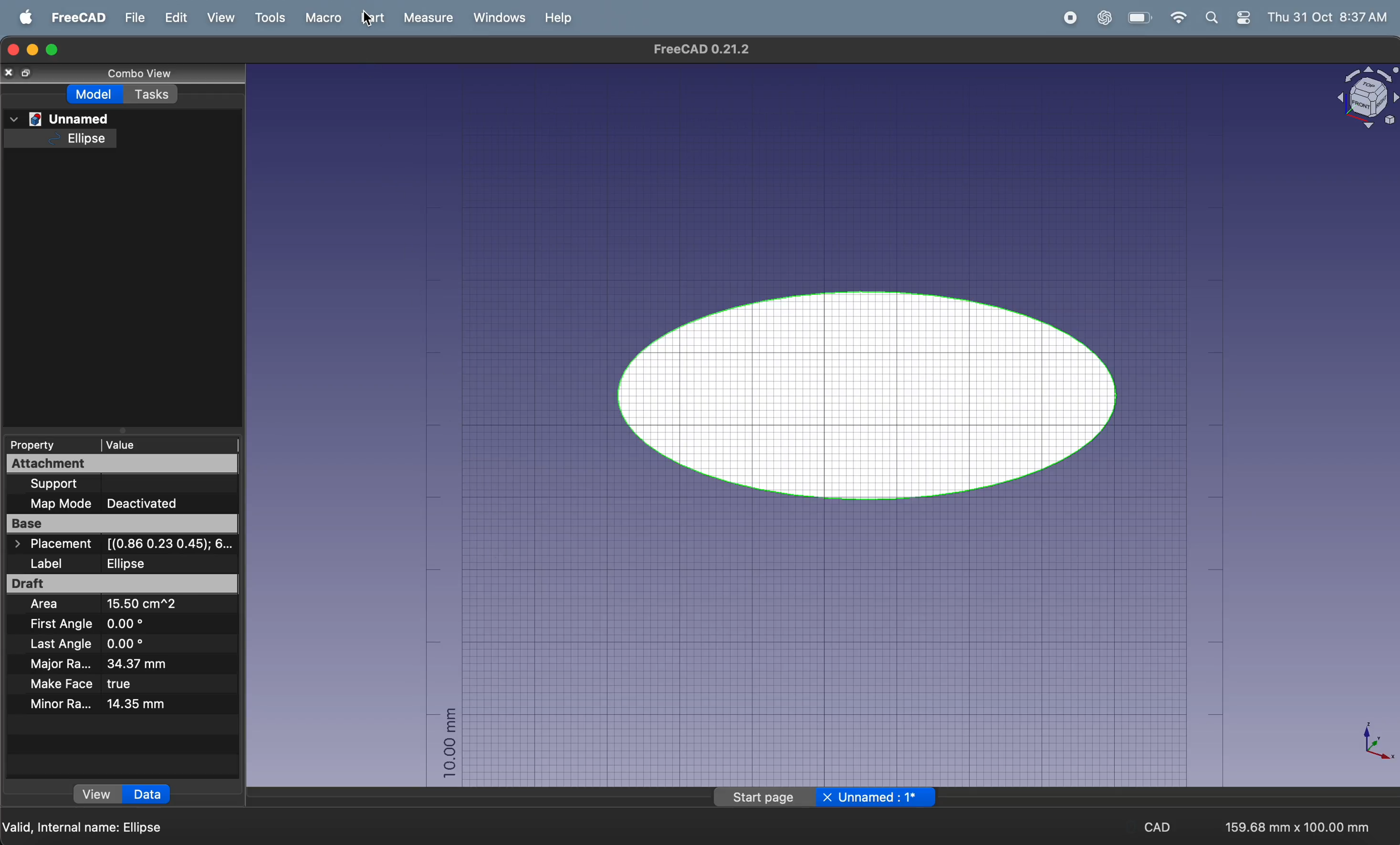 This screenshot has width=1400, height=845. I want to click on elipse, so click(74, 139).